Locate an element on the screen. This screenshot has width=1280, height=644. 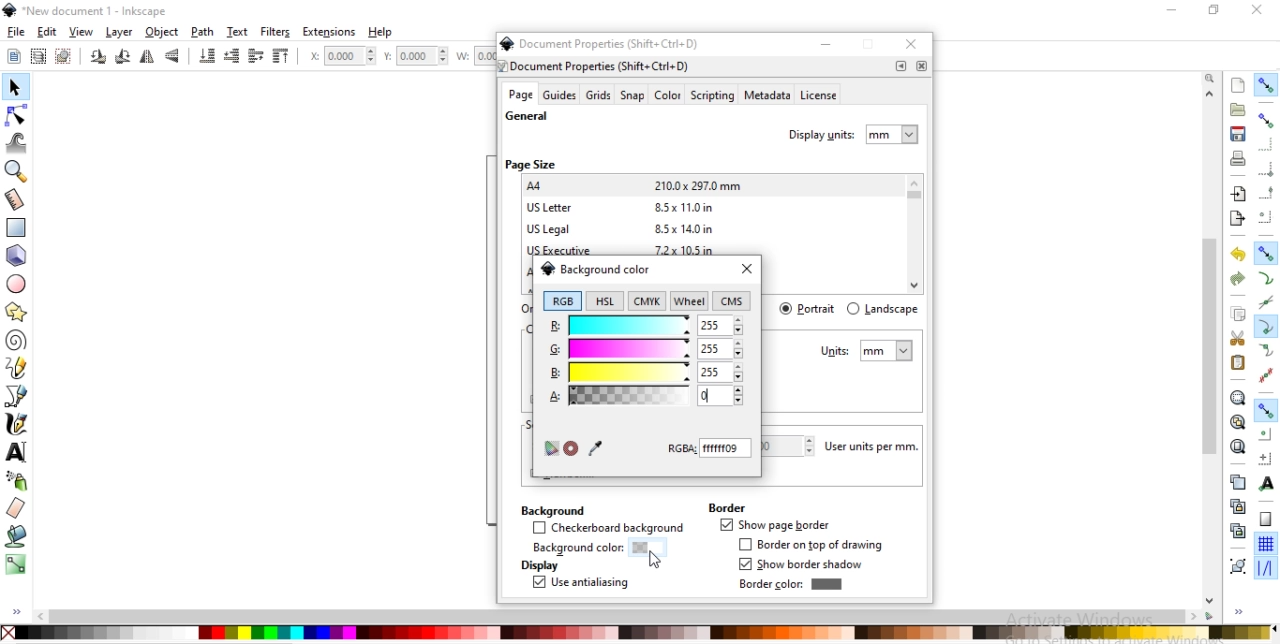
@ Document Properties (Shift+ Ctrl+D)7 Document Properties (Shift+ Ctrl+D) is located at coordinates (606, 54).